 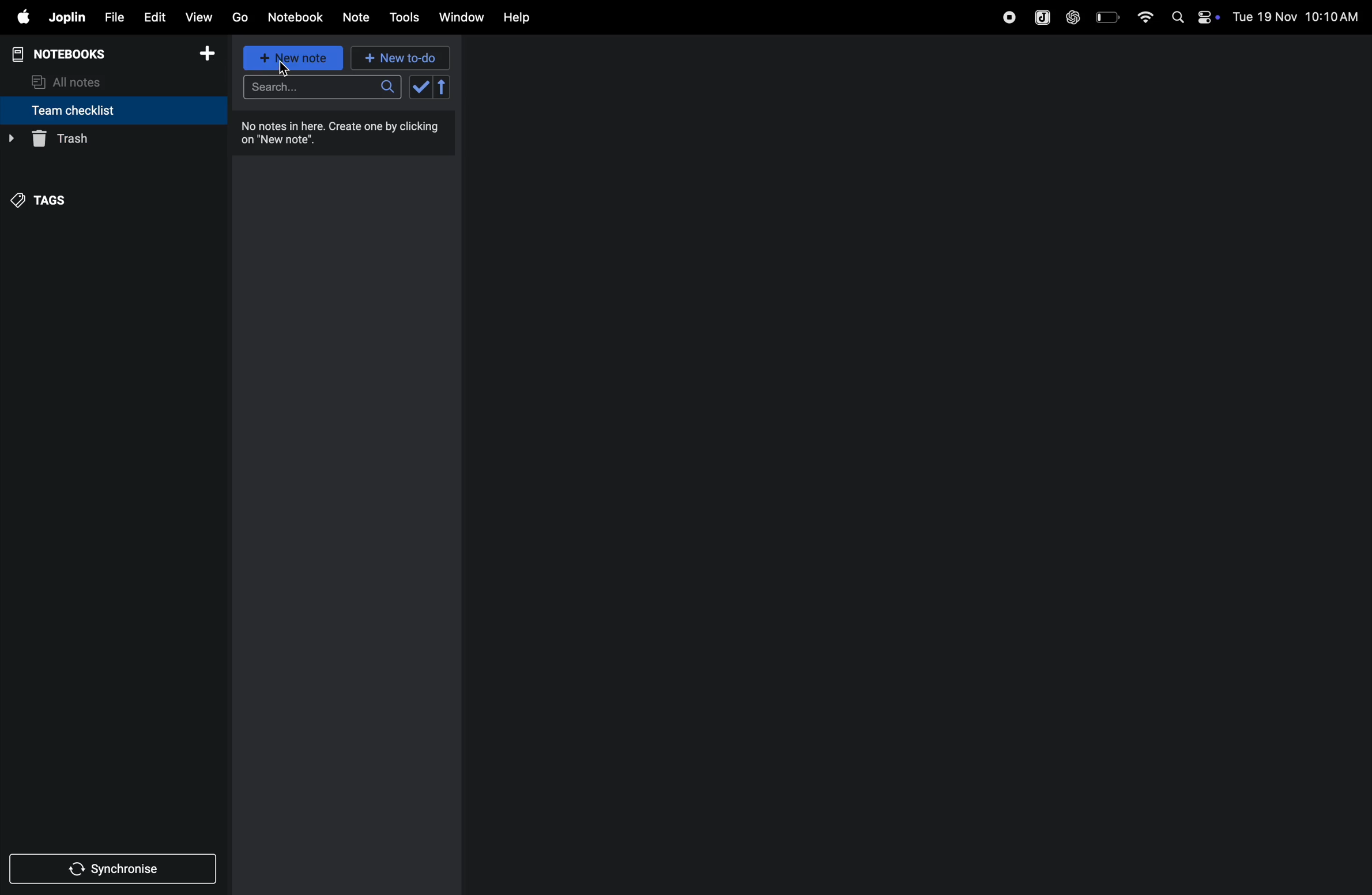 What do you see at coordinates (320, 89) in the screenshot?
I see `search ` at bounding box center [320, 89].